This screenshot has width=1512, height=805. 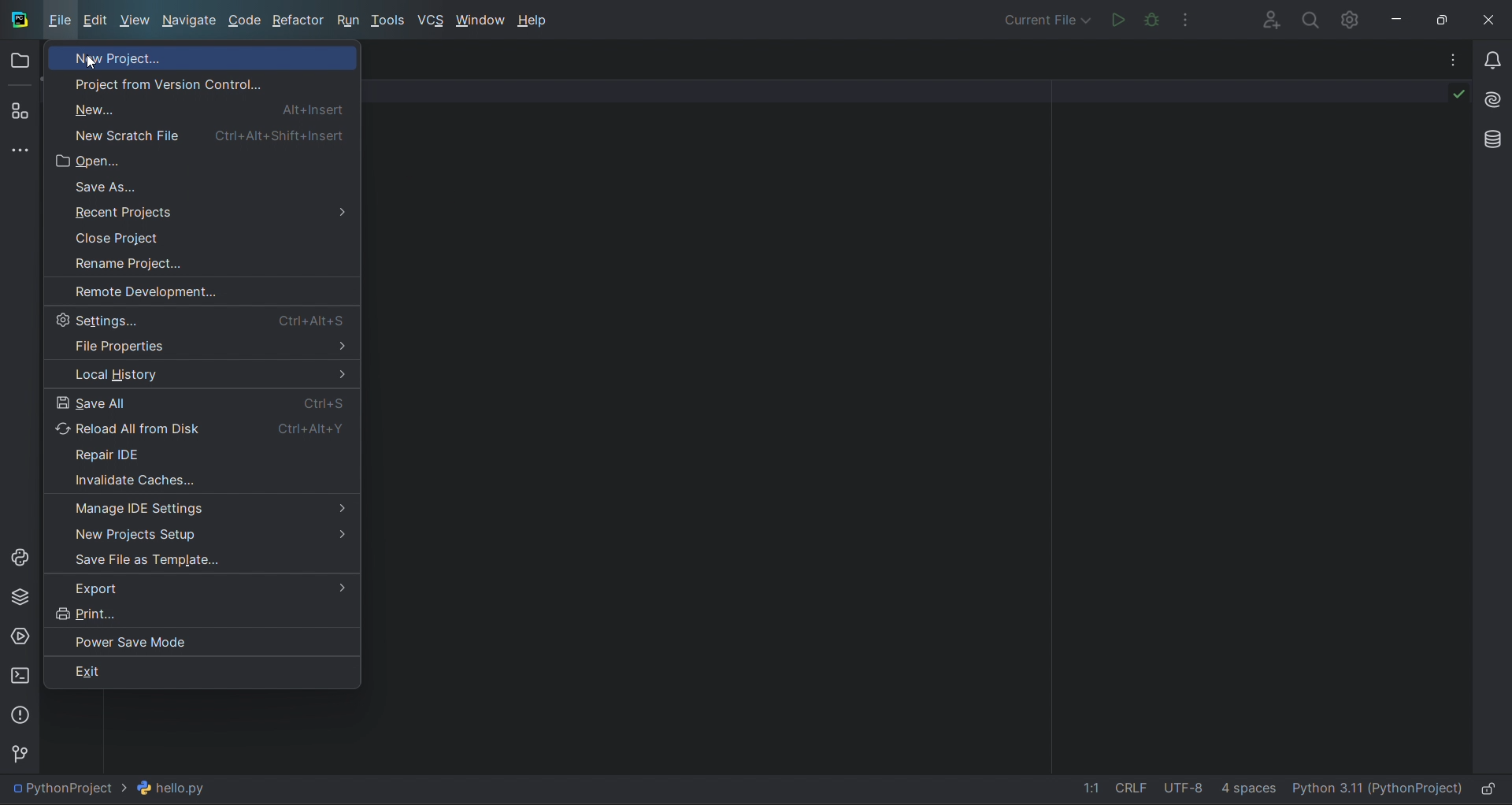 What do you see at coordinates (198, 187) in the screenshot?
I see `save as` at bounding box center [198, 187].